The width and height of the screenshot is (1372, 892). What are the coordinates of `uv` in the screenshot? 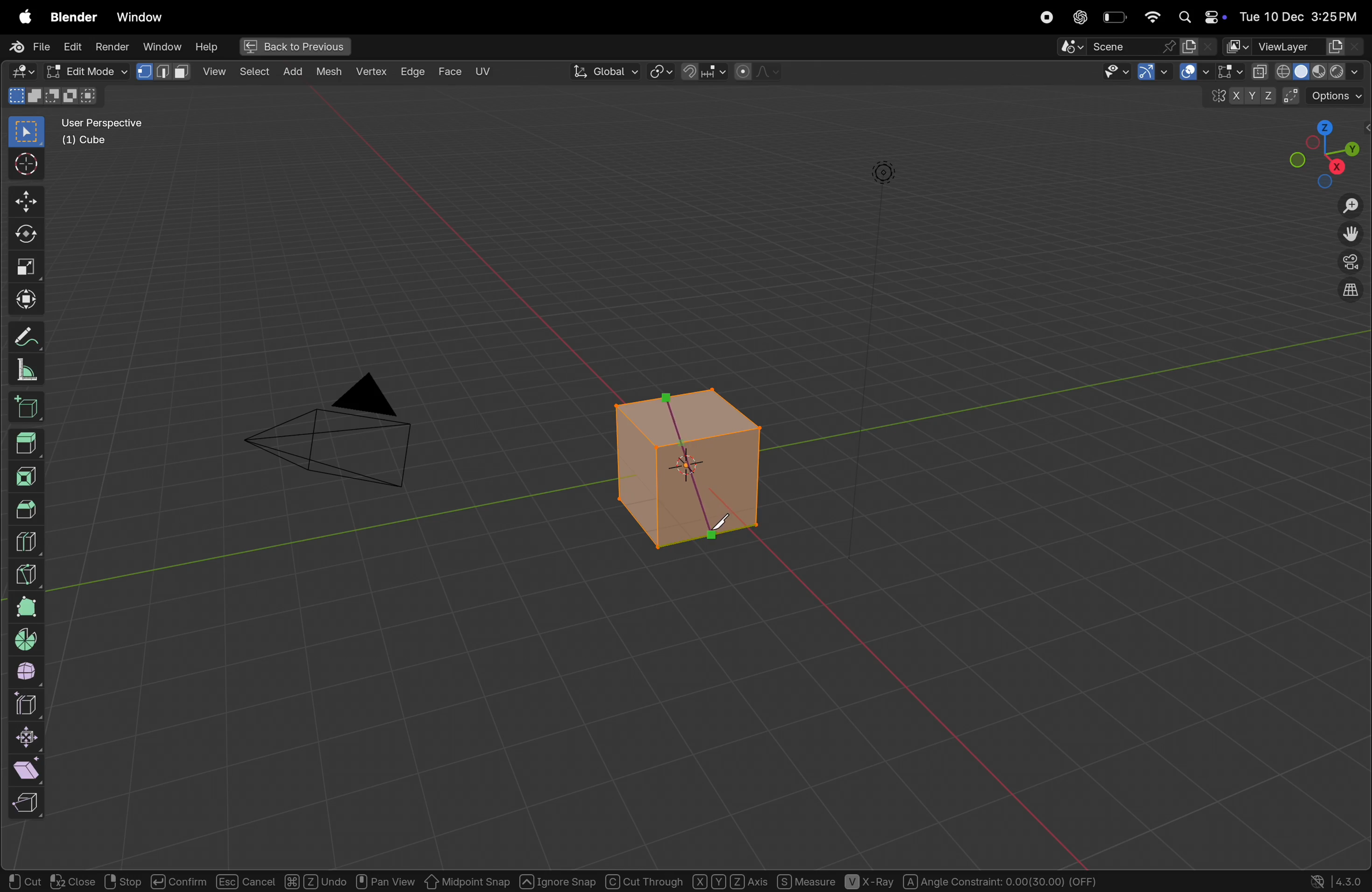 It's located at (483, 71).